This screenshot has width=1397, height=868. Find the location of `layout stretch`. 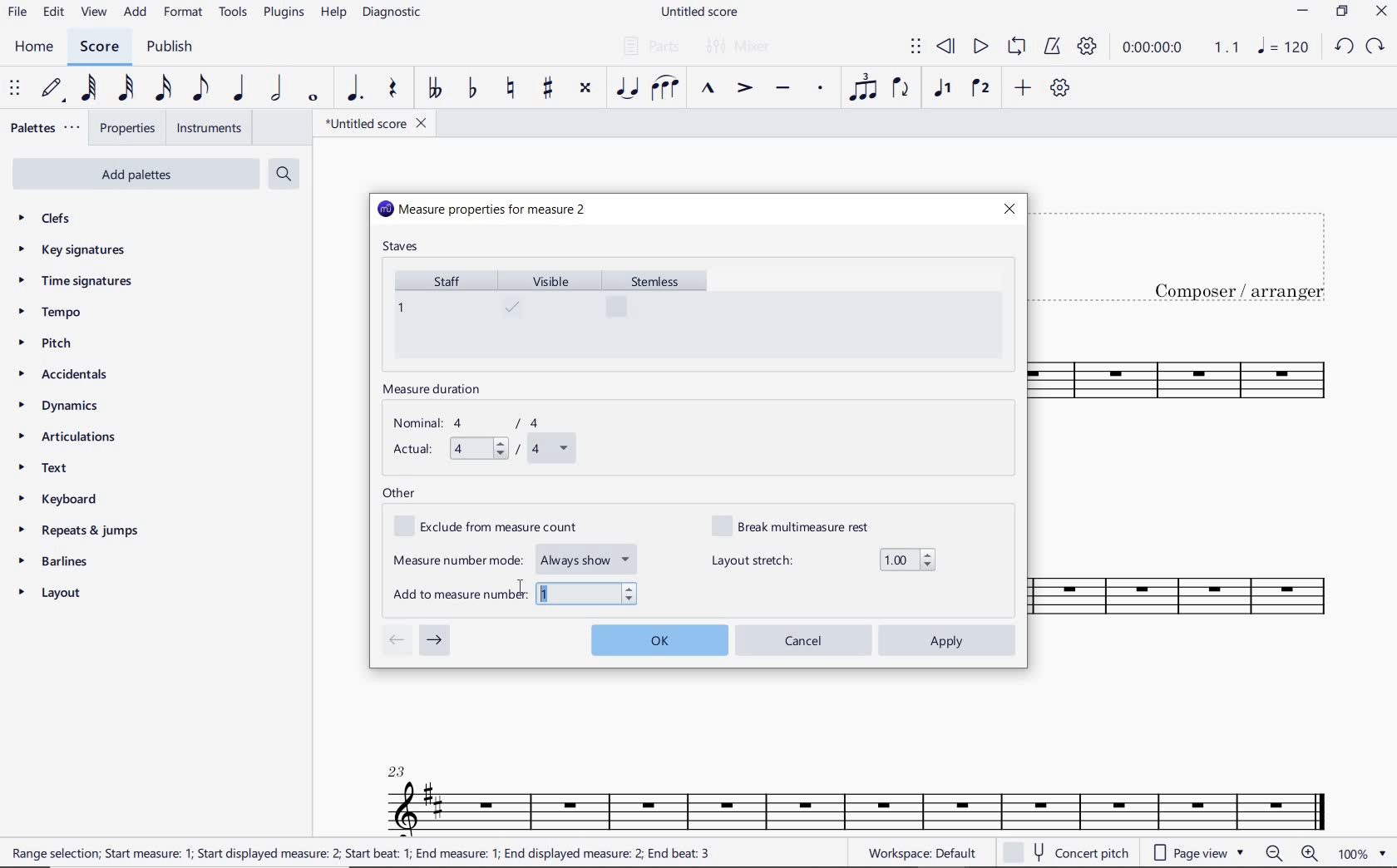

layout stretch is located at coordinates (823, 560).